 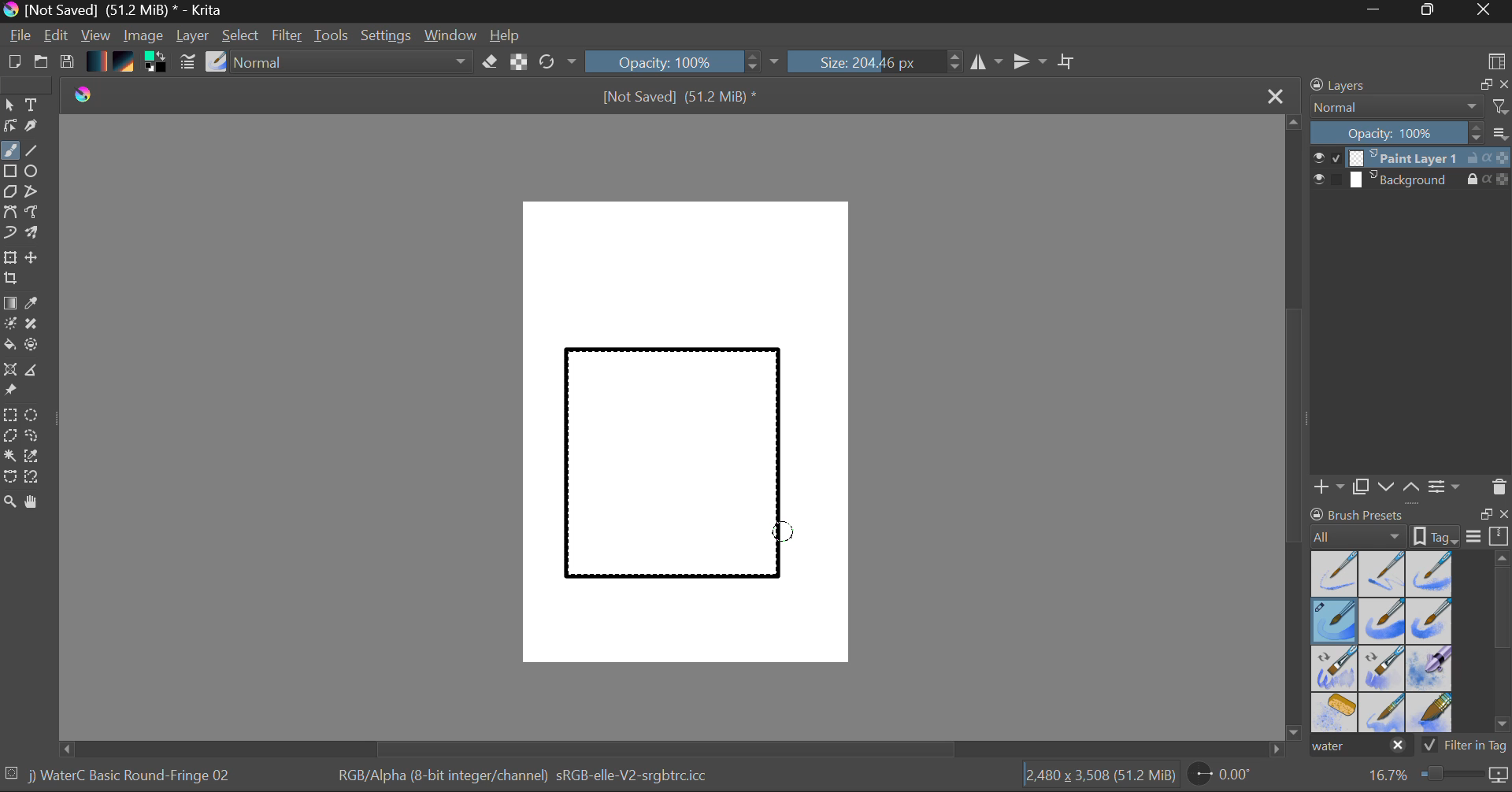 I want to click on Window Title, so click(x=115, y=11).